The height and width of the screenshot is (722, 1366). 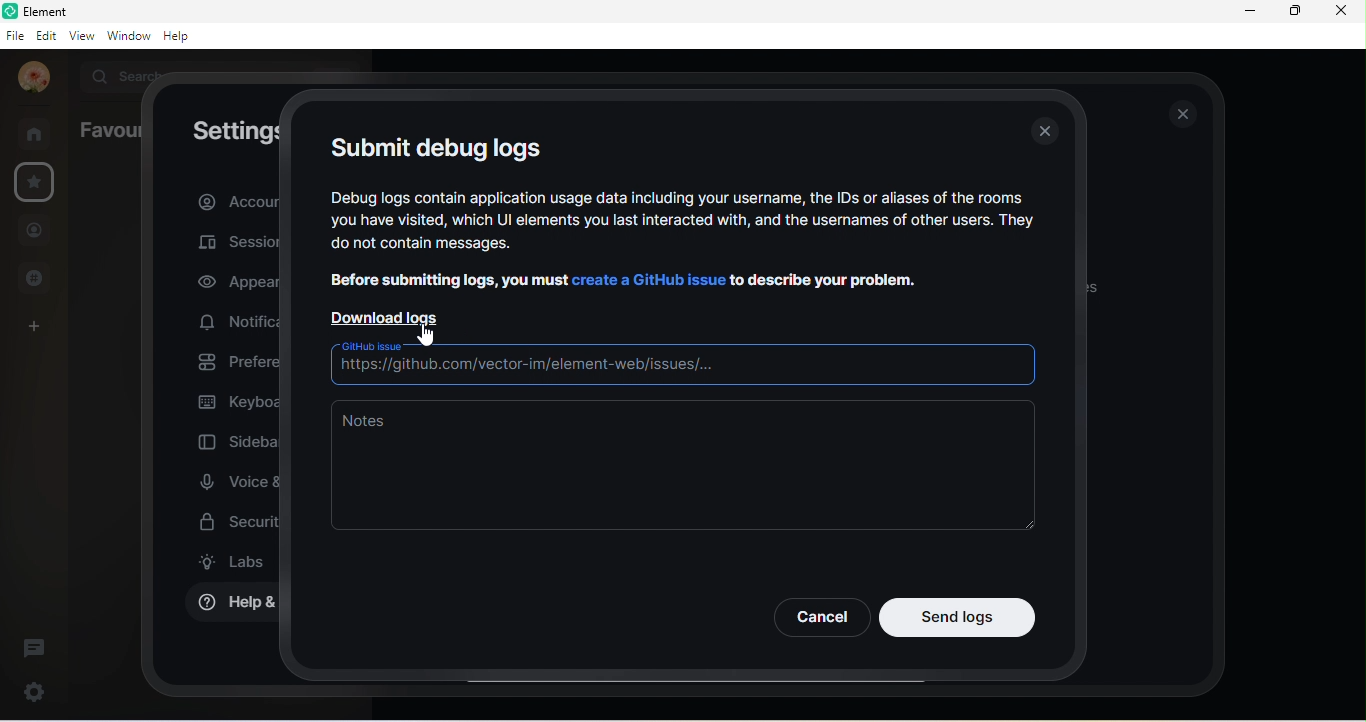 What do you see at coordinates (35, 688) in the screenshot?
I see `quick setting` at bounding box center [35, 688].